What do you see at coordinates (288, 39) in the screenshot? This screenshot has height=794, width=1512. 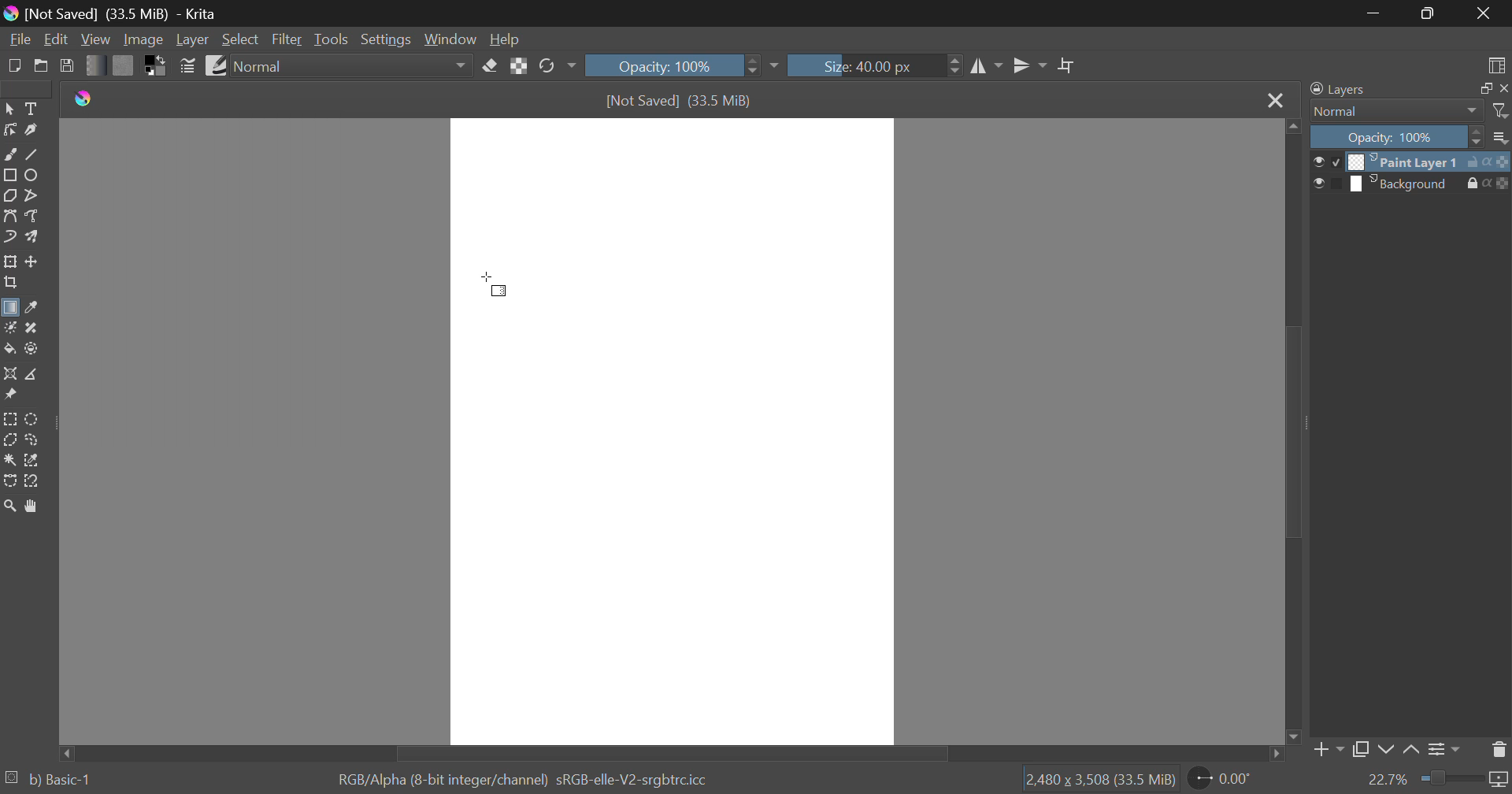 I see `Filter` at bounding box center [288, 39].